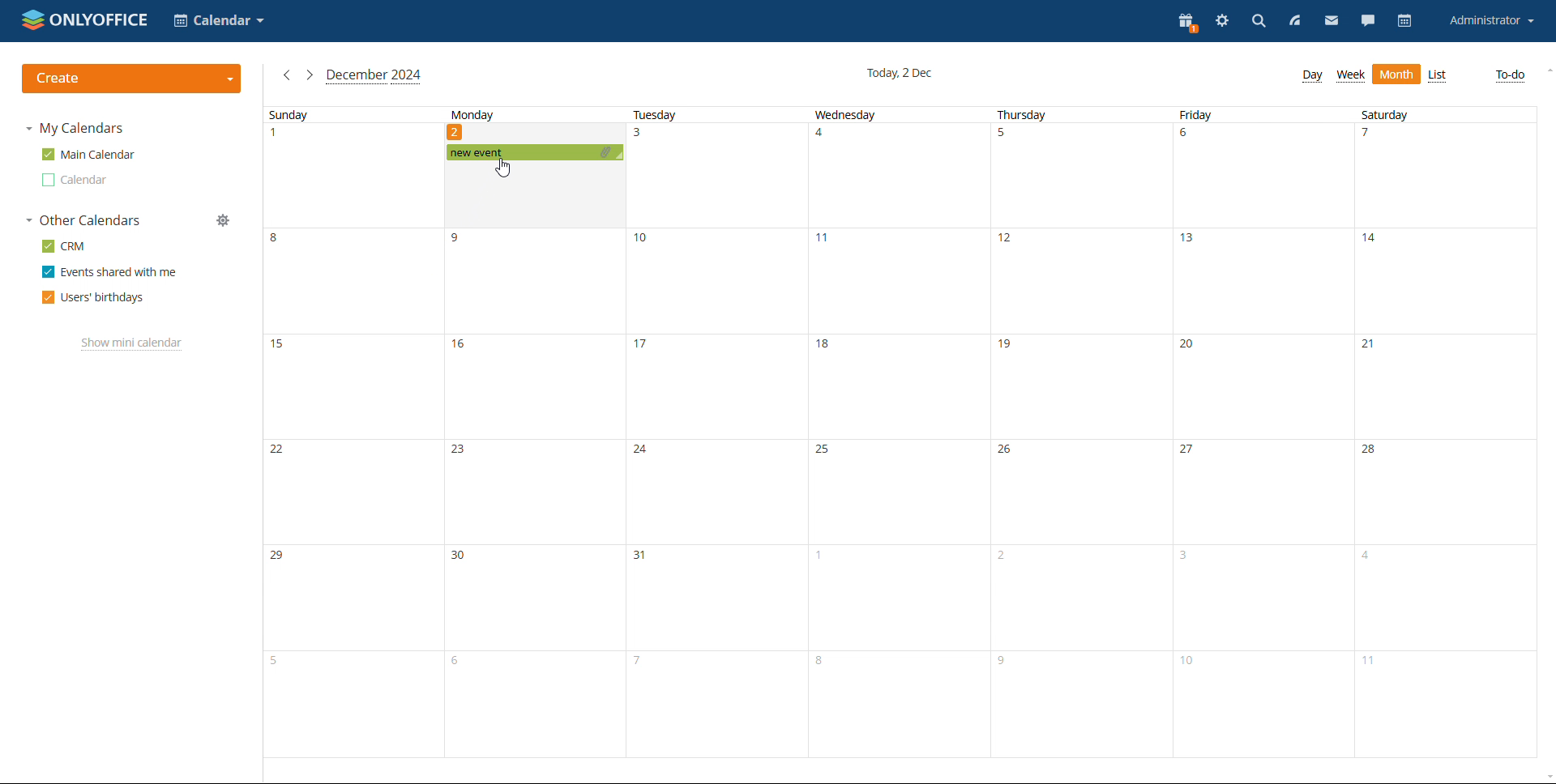  Describe the element at coordinates (455, 132) in the screenshot. I see `2` at that location.